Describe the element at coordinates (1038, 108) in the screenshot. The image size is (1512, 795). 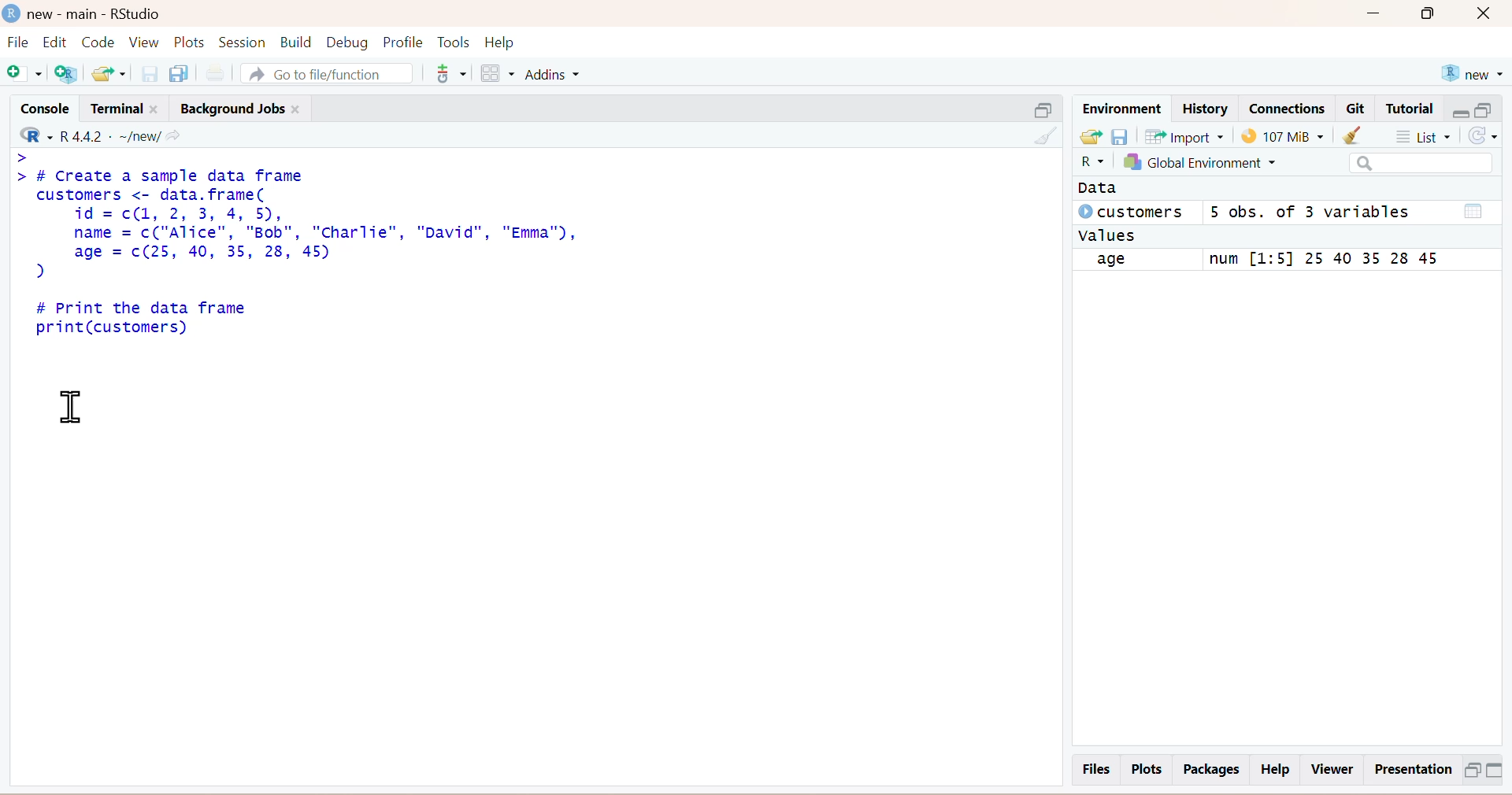
I see `Minimise` at that location.